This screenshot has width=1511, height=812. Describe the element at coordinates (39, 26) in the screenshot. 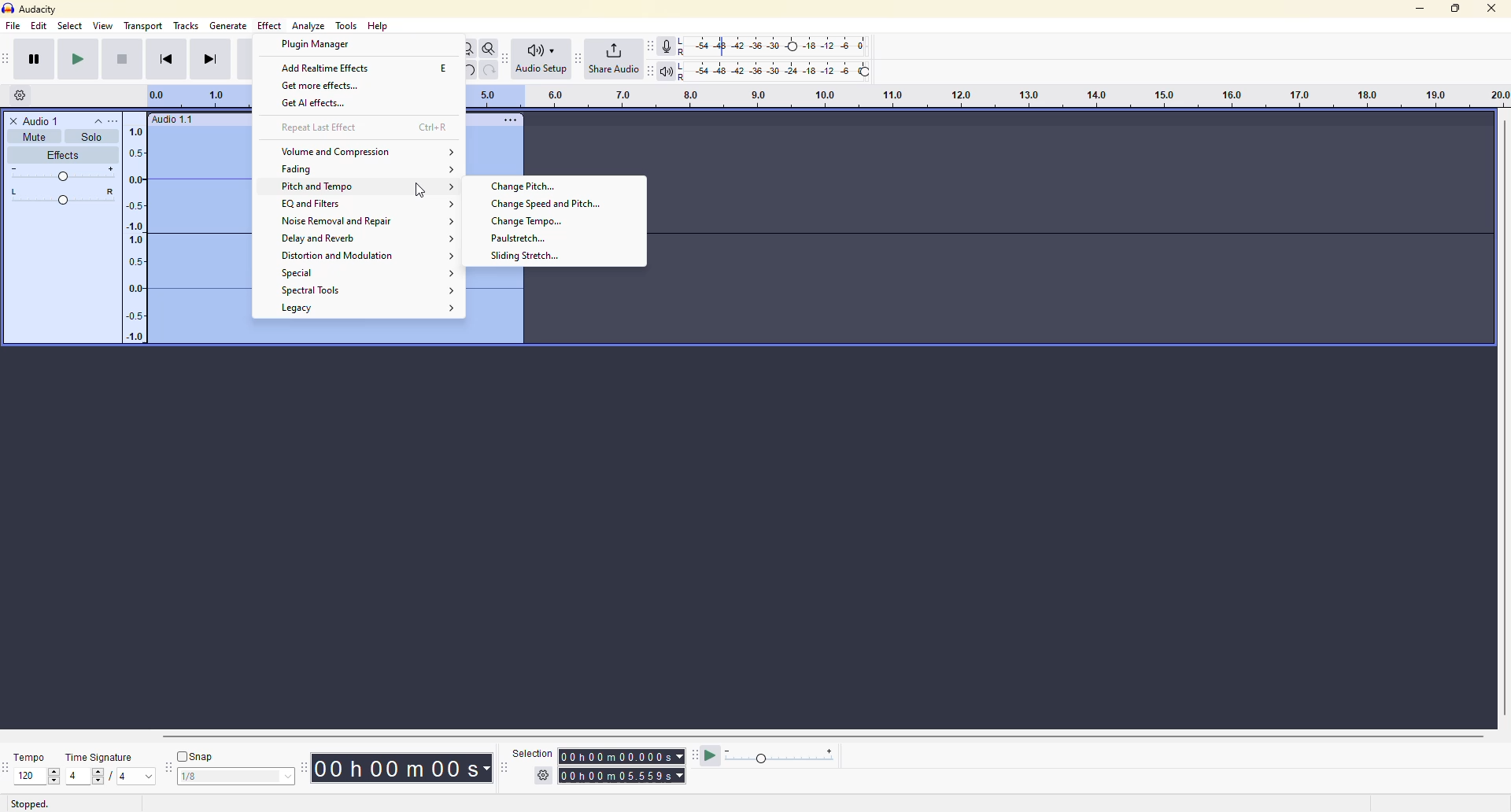

I see `edit` at that location.